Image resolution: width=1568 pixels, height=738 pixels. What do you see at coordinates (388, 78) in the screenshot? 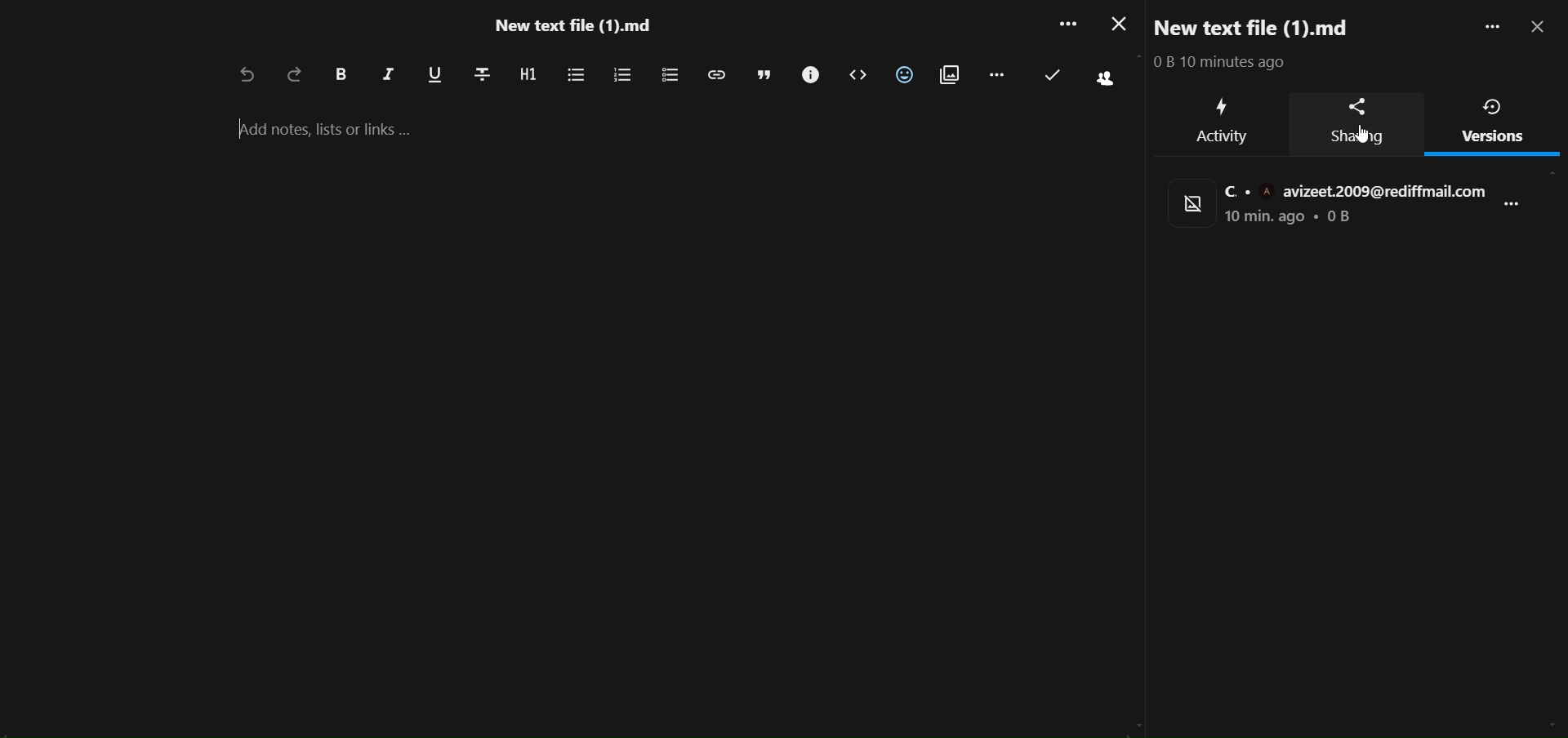
I see `italic` at bounding box center [388, 78].